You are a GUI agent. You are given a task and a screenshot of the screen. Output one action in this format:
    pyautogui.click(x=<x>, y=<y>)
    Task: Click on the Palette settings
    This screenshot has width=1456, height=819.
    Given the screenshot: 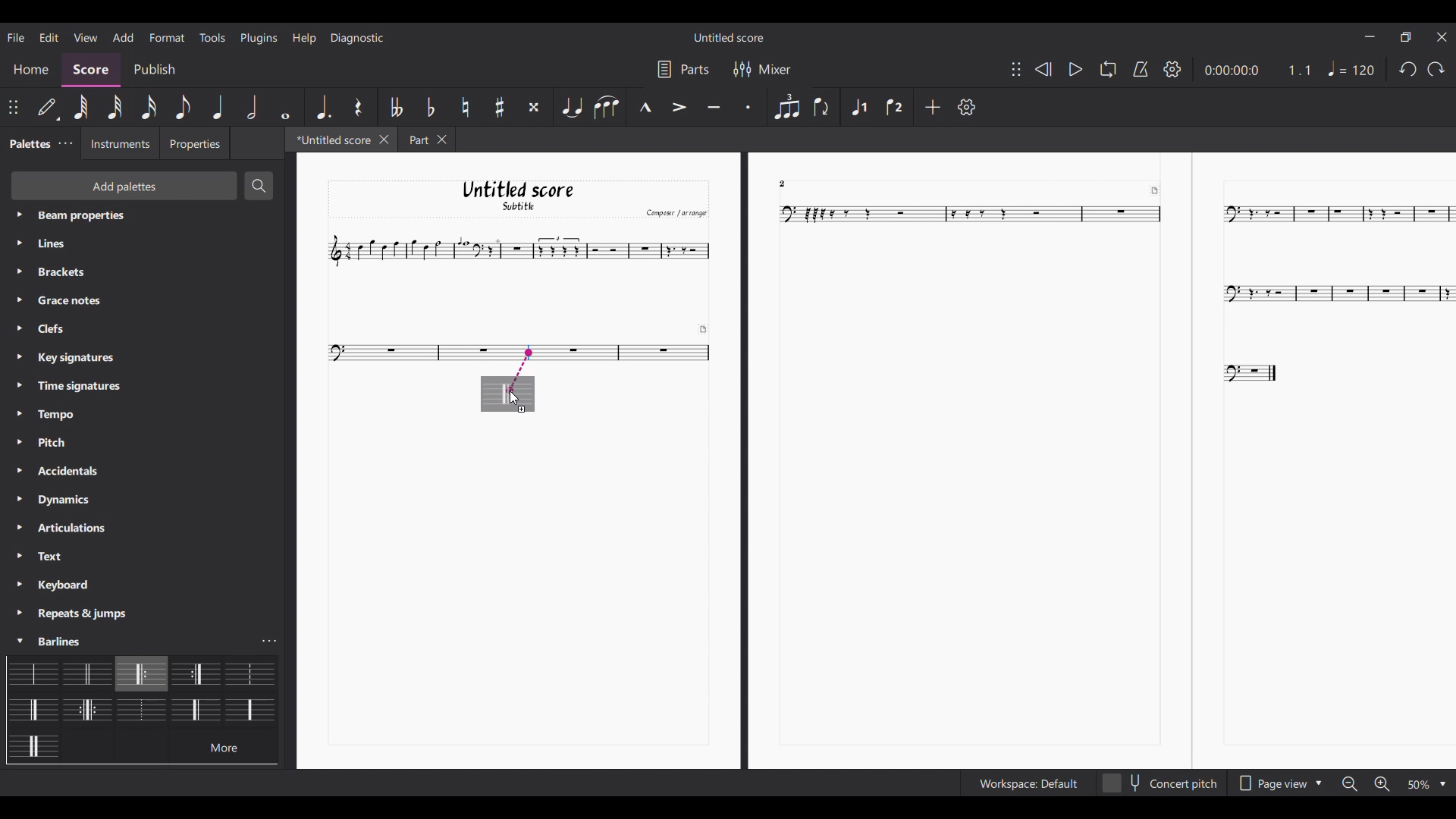 What is the action you would take?
    pyautogui.click(x=61, y=530)
    